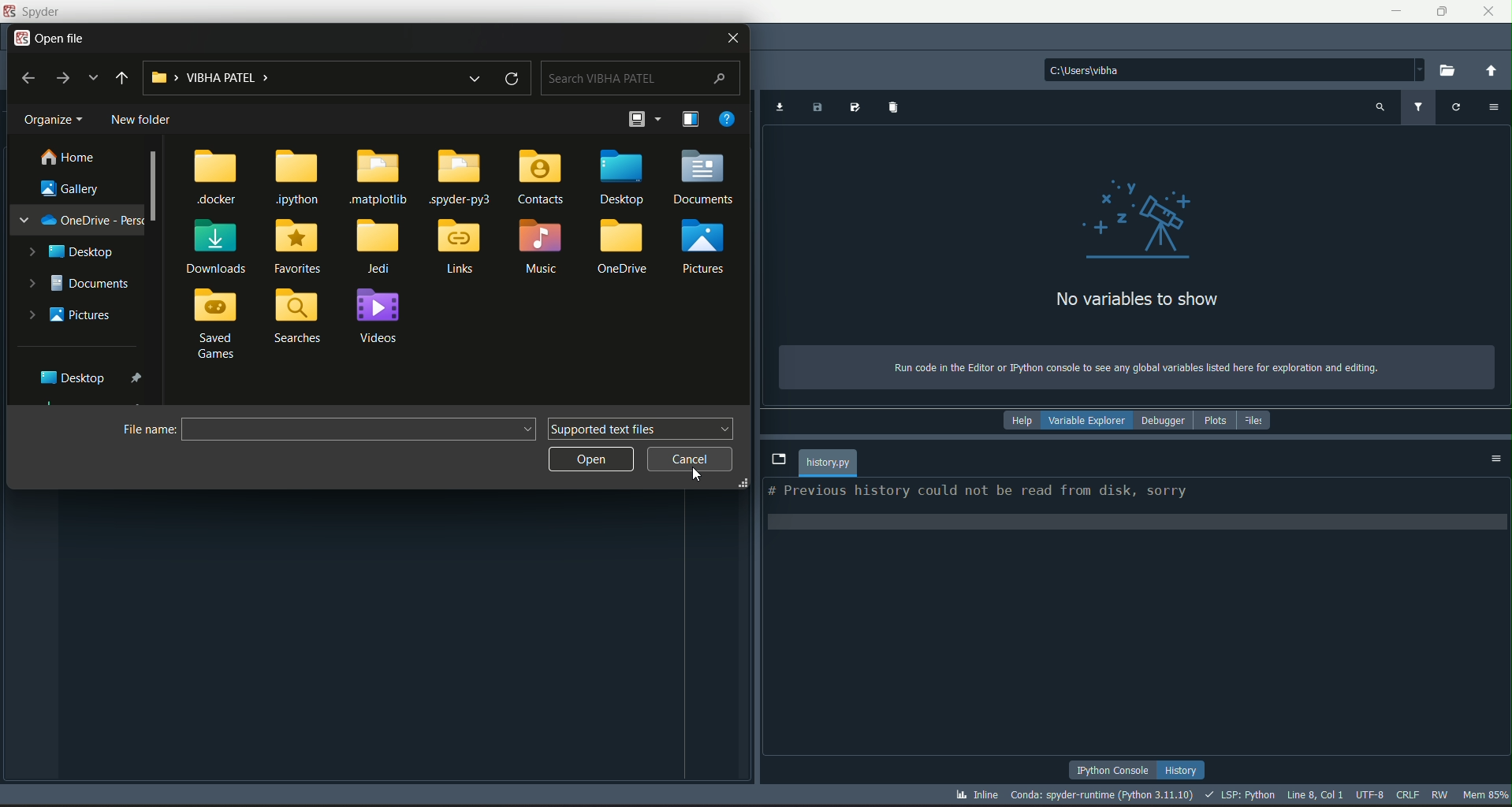 The height and width of the screenshot is (807, 1512). Describe the element at coordinates (1235, 69) in the screenshot. I see `file path` at that location.